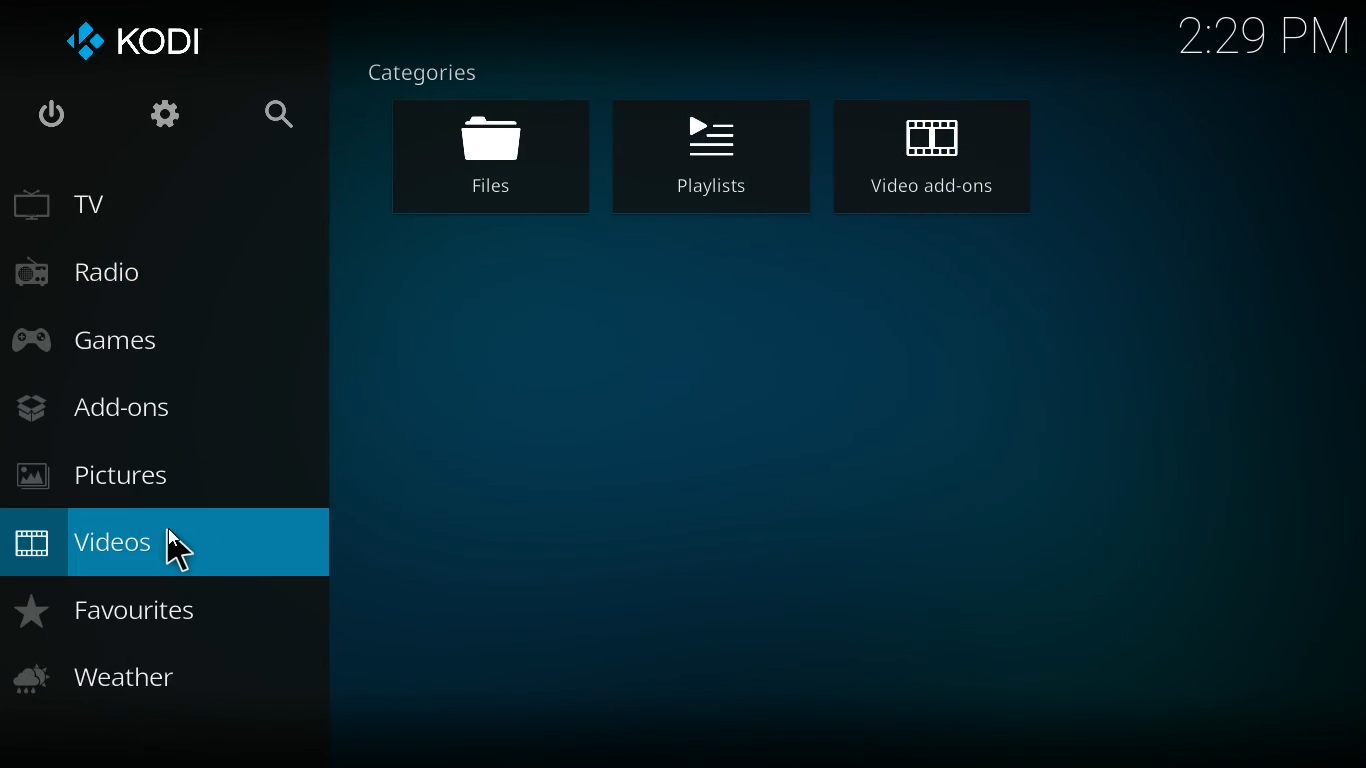 The width and height of the screenshot is (1366, 768). What do you see at coordinates (1263, 36) in the screenshot?
I see `2:29 PM` at bounding box center [1263, 36].